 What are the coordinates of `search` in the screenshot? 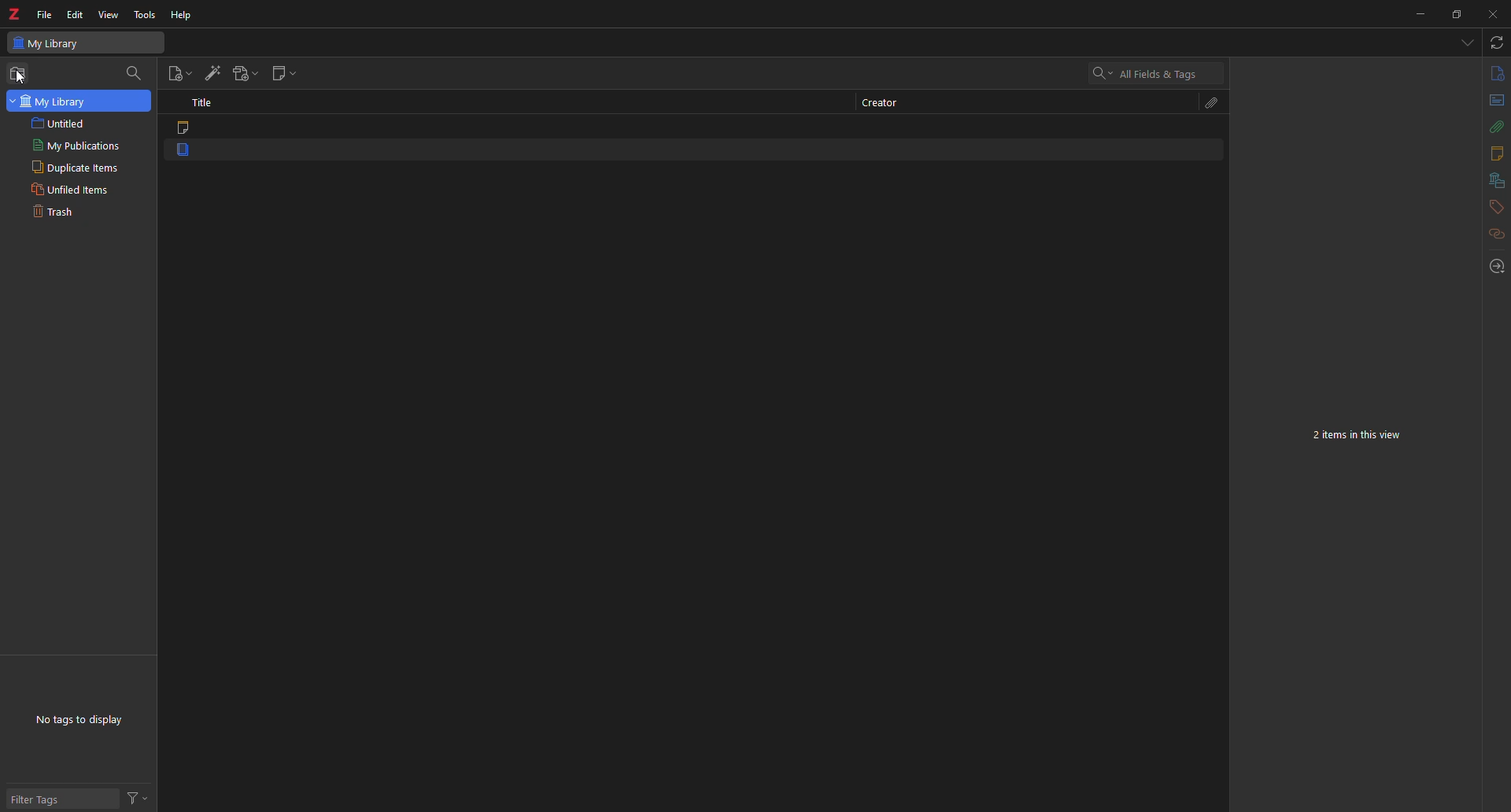 It's located at (137, 72).